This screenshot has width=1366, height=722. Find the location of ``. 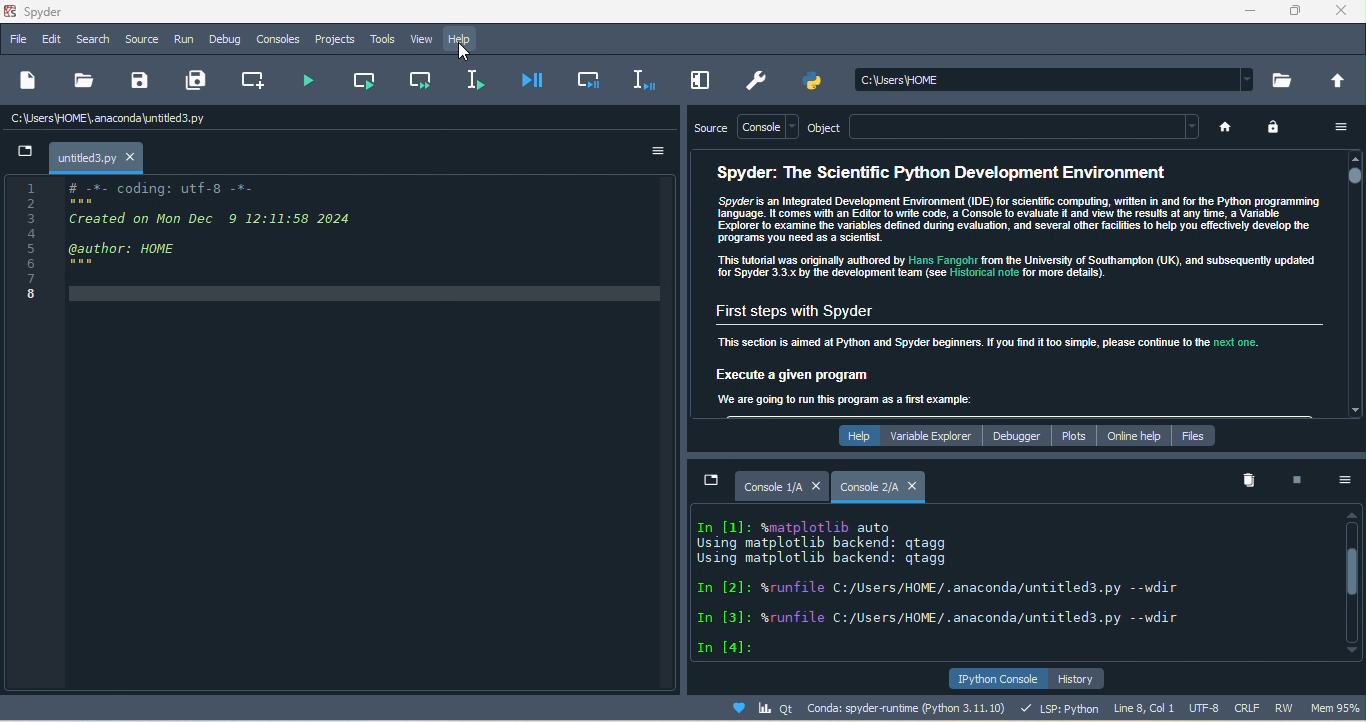

 is located at coordinates (34, 246).